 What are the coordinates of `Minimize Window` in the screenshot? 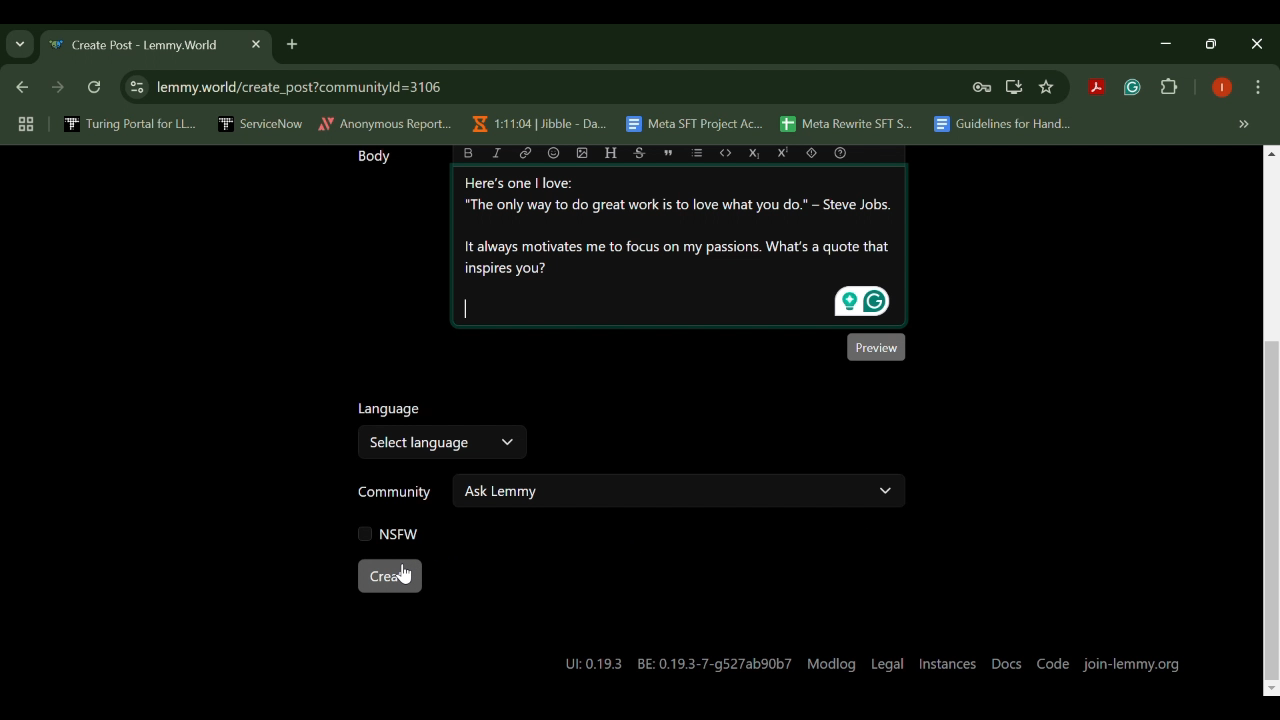 It's located at (1214, 43).